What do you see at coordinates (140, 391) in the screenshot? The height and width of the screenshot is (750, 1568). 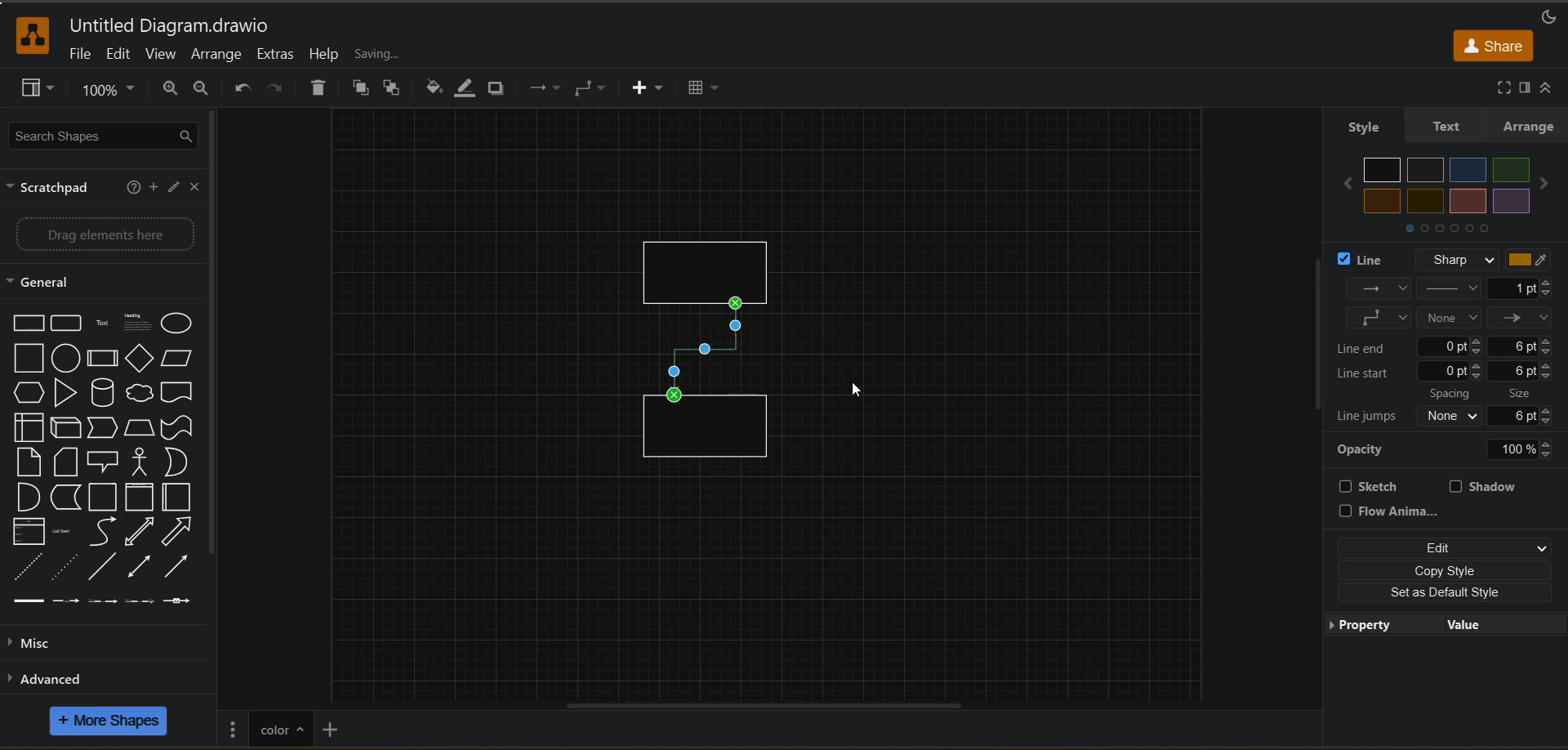 I see `Cloud` at bounding box center [140, 391].